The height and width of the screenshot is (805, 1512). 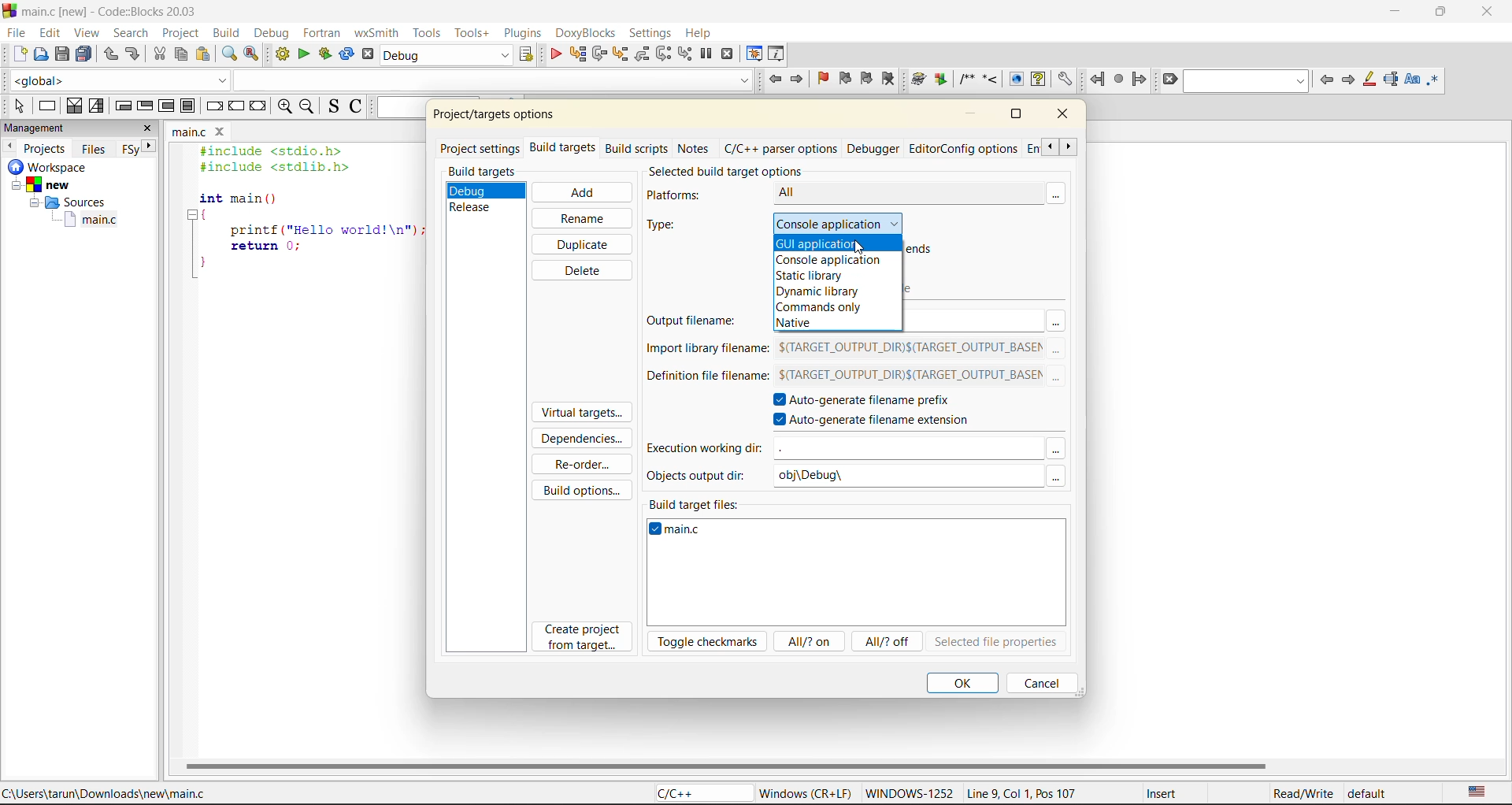 I want to click on ok, so click(x=964, y=684).